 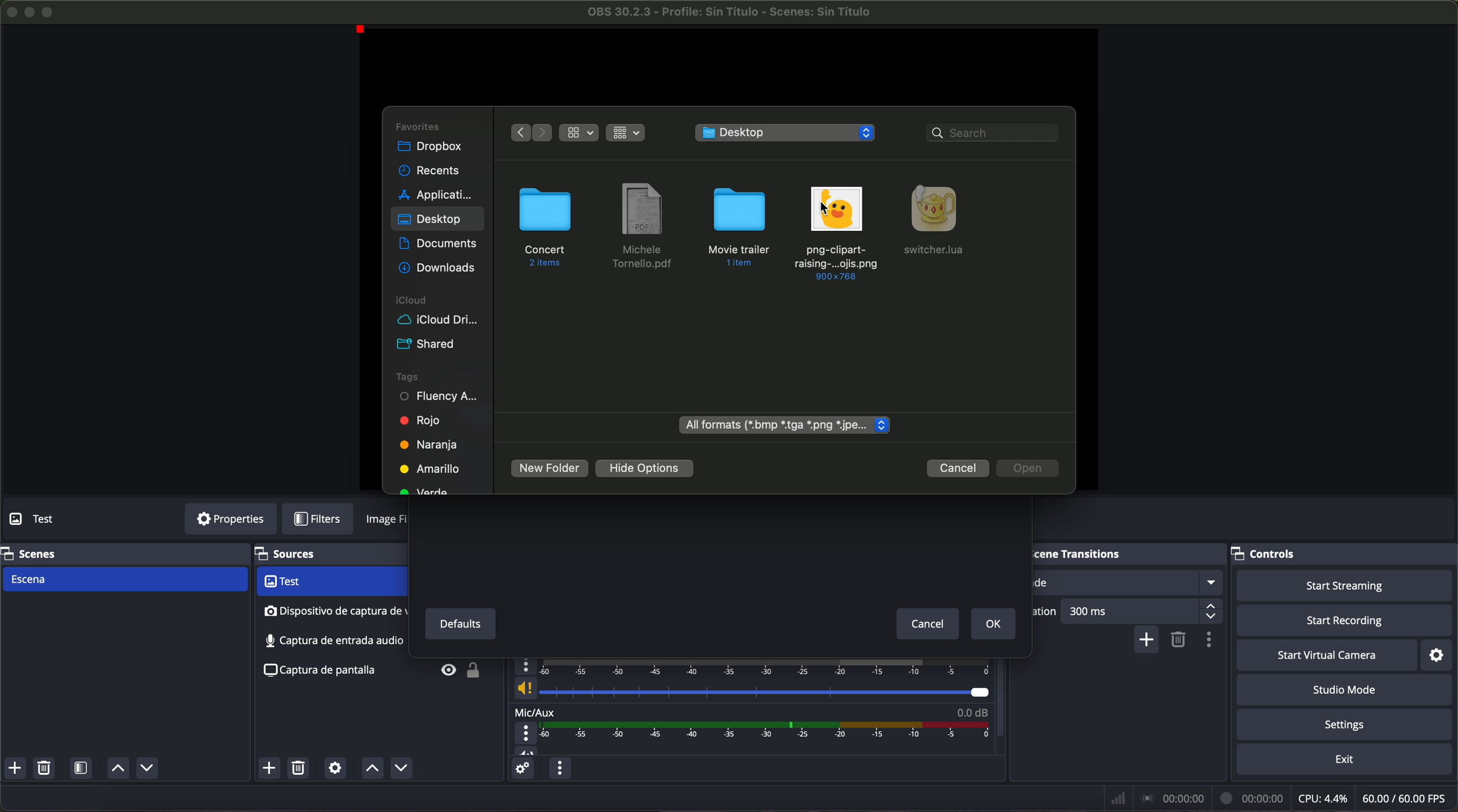 What do you see at coordinates (546, 228) in the screenshot?
I see `folder` at bounding box center [546, 228].